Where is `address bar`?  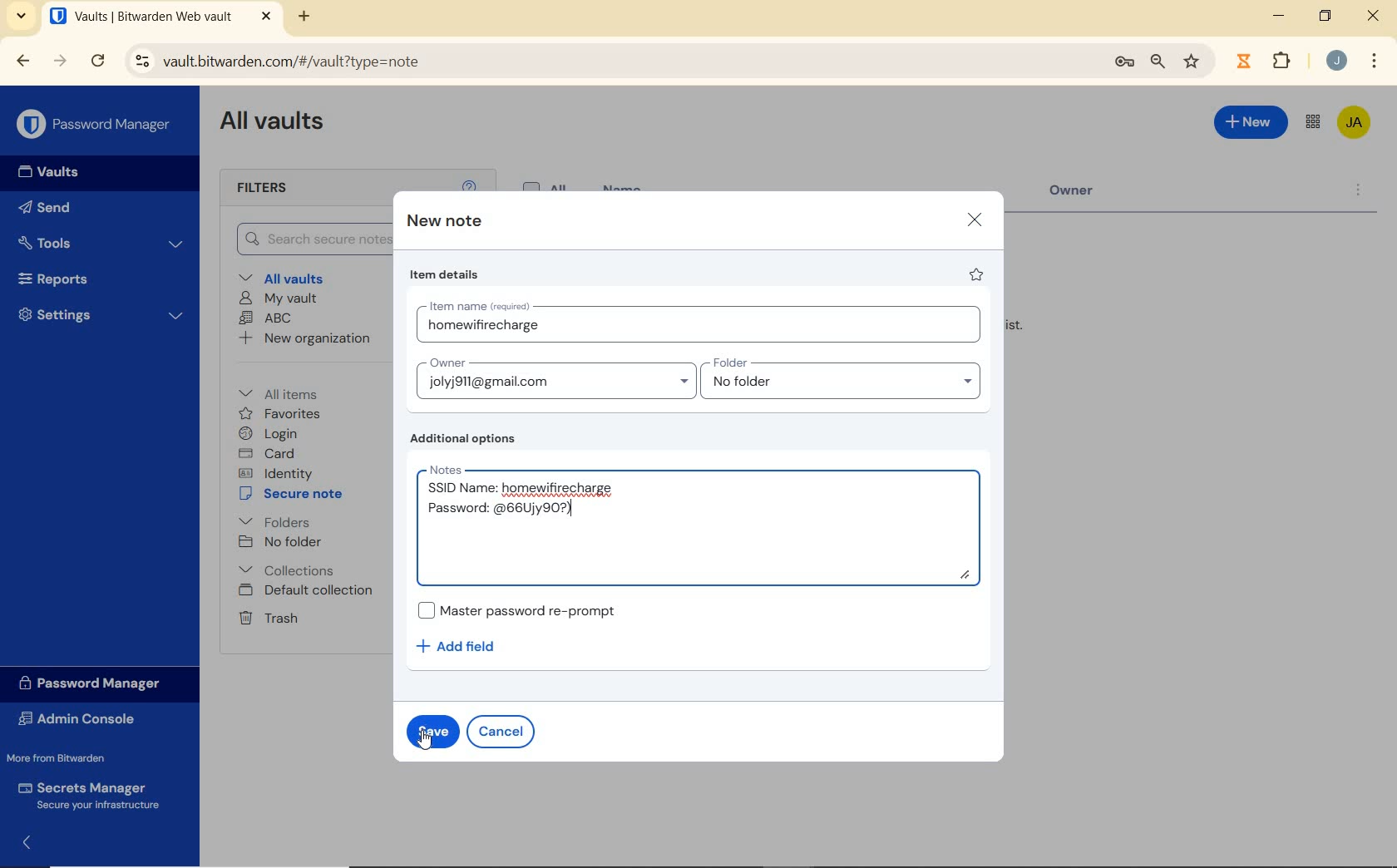
address bar is located at coordinates (607, 62).